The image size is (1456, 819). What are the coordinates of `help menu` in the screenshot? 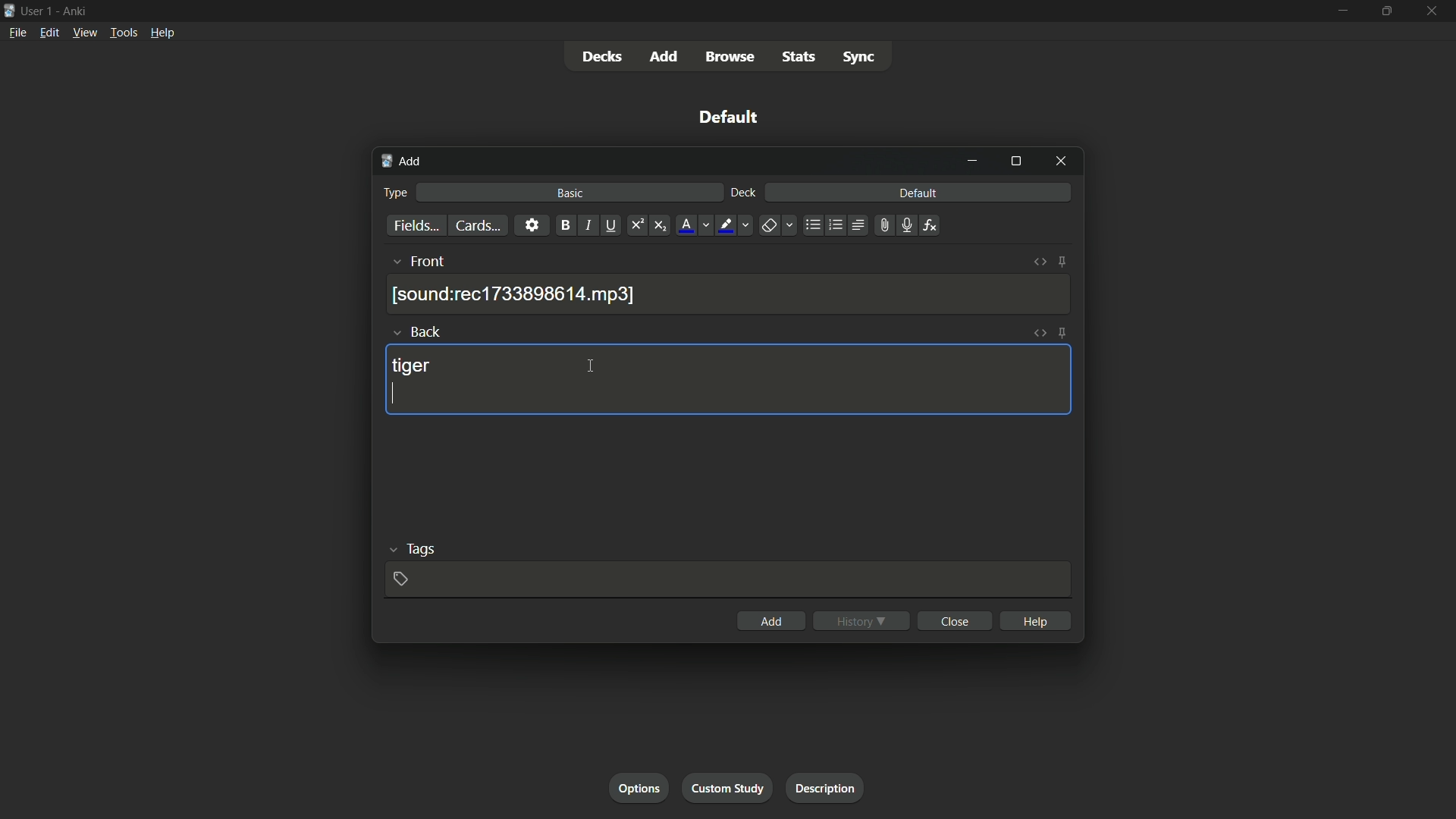 It's located at (162, 33).